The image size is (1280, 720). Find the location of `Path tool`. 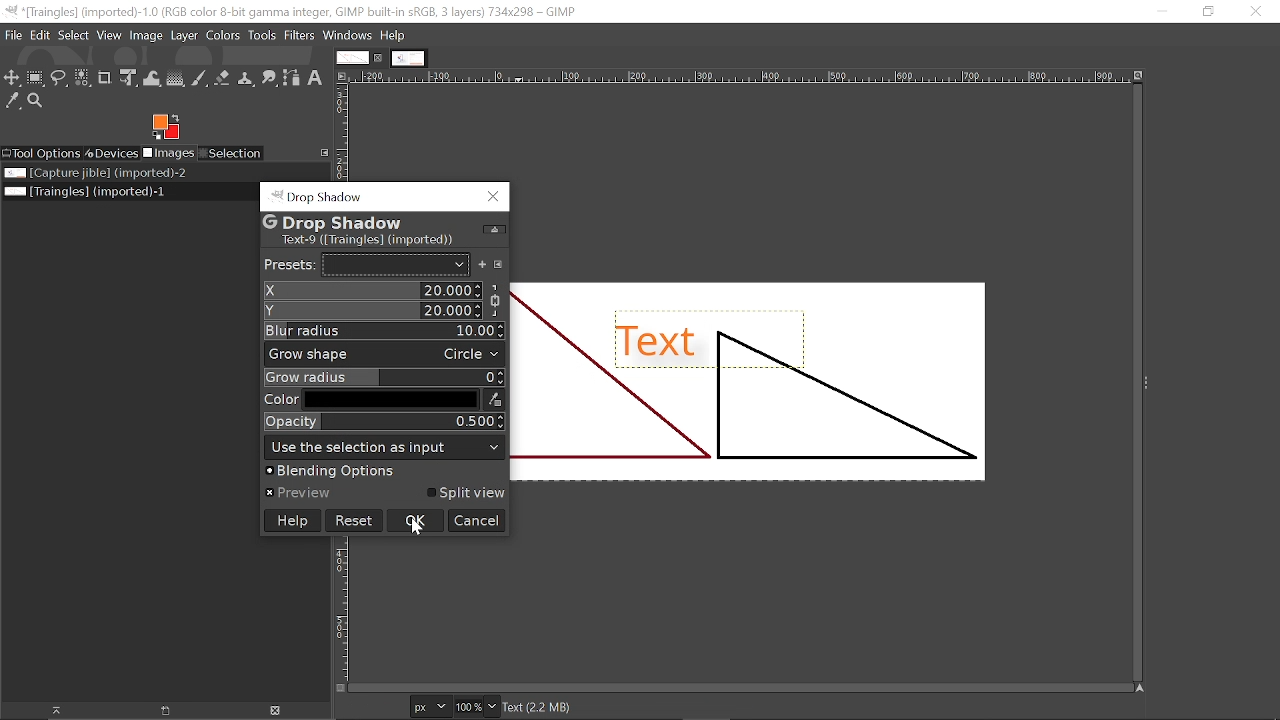

Path tool is located at coordinates (292, 79).